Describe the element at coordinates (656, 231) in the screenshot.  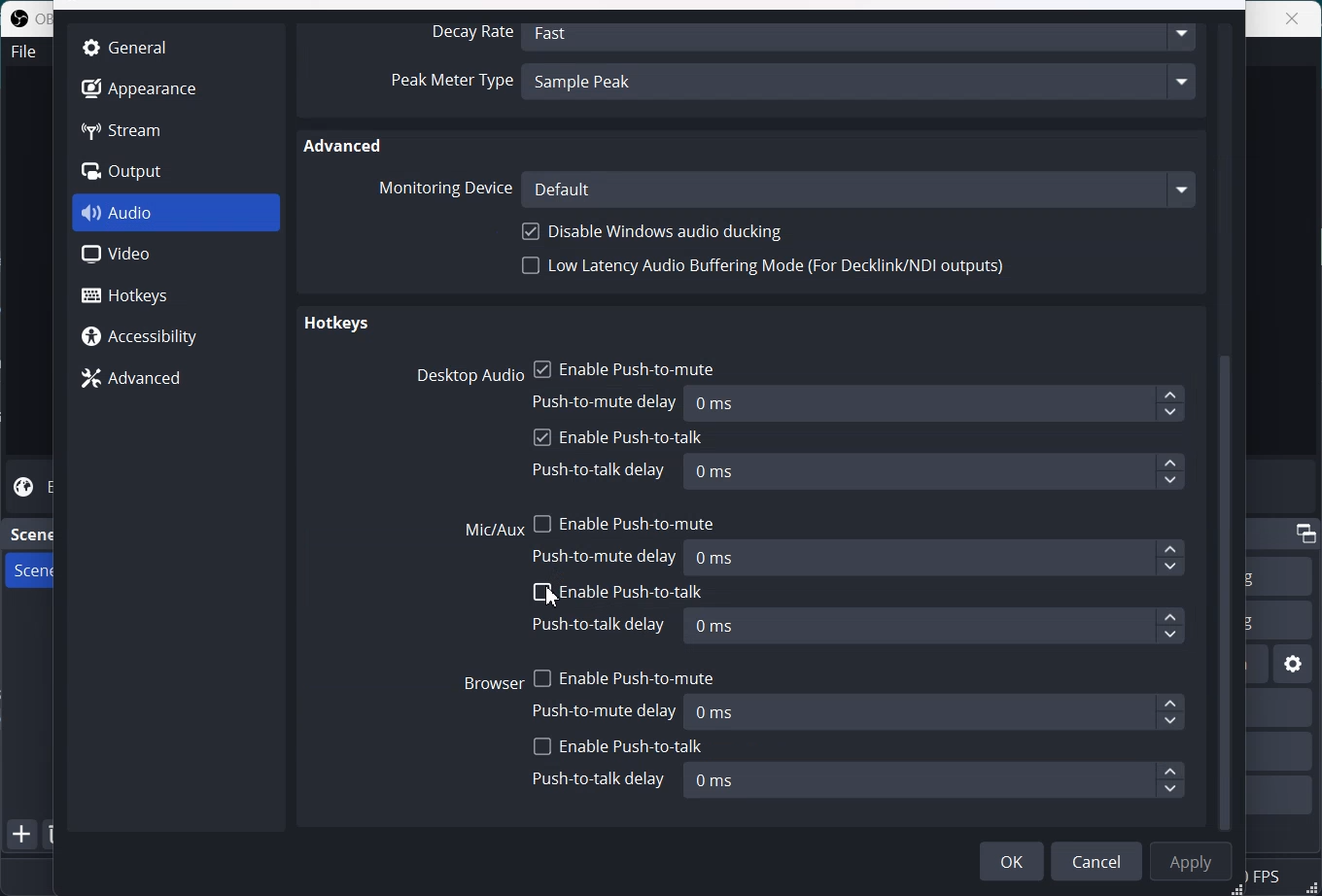
I see `Disable Windows audio ducking` at that location.